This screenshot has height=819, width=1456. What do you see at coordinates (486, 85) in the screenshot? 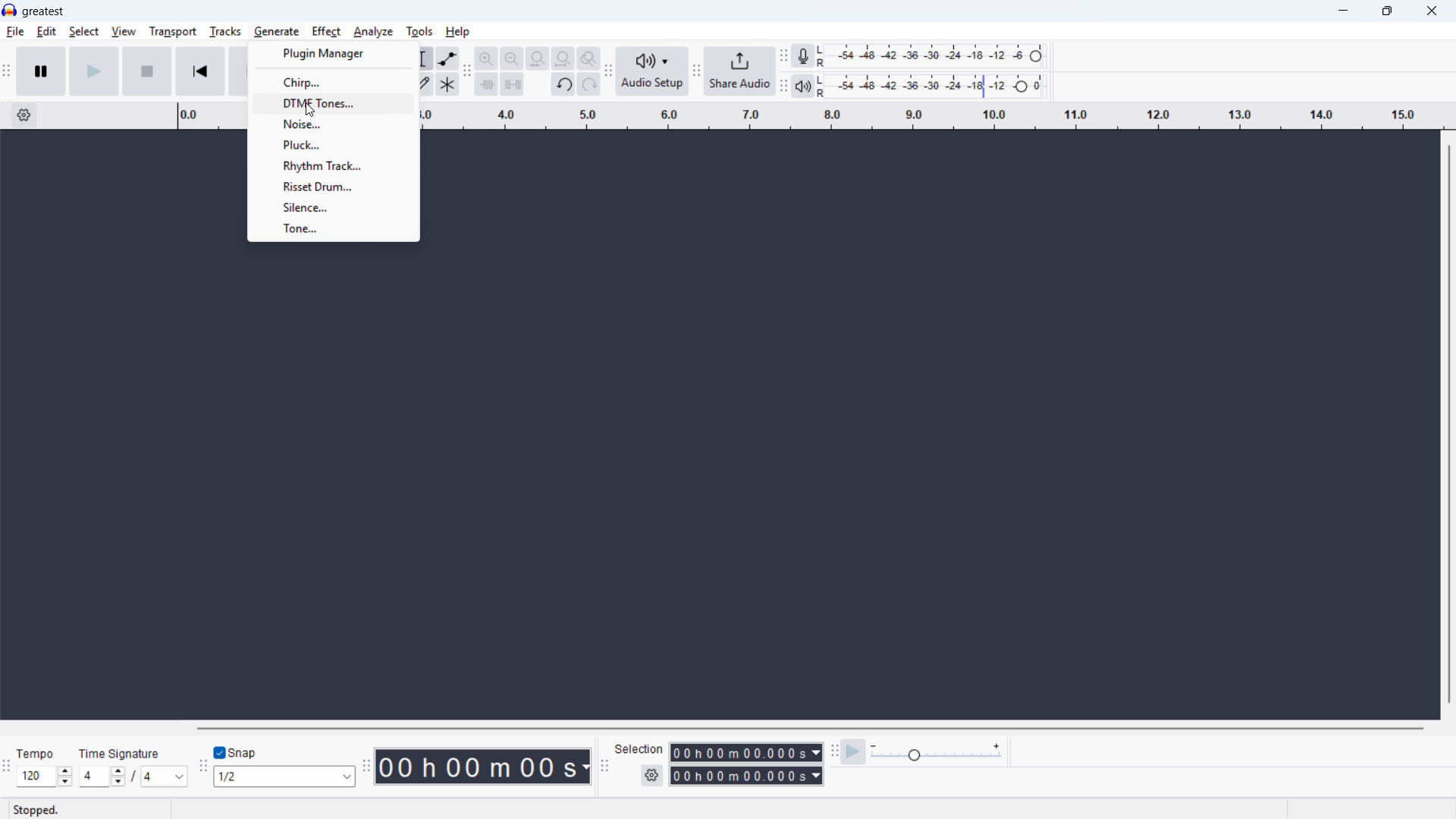
I see `trim audio outside selection` at bounding box center [486, 85].